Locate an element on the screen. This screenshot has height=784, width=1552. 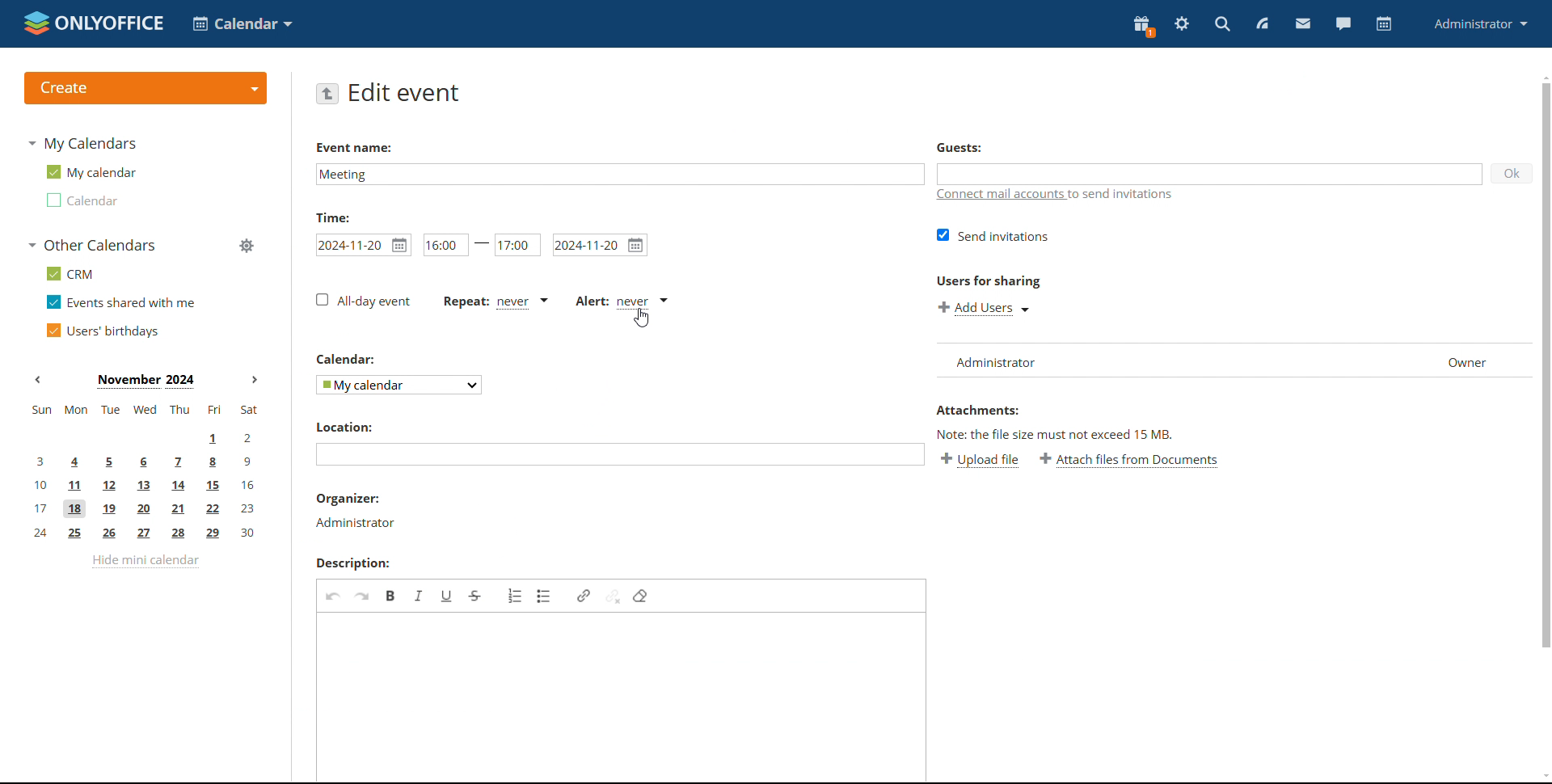
other calendars is located at coordinates (91, 245).